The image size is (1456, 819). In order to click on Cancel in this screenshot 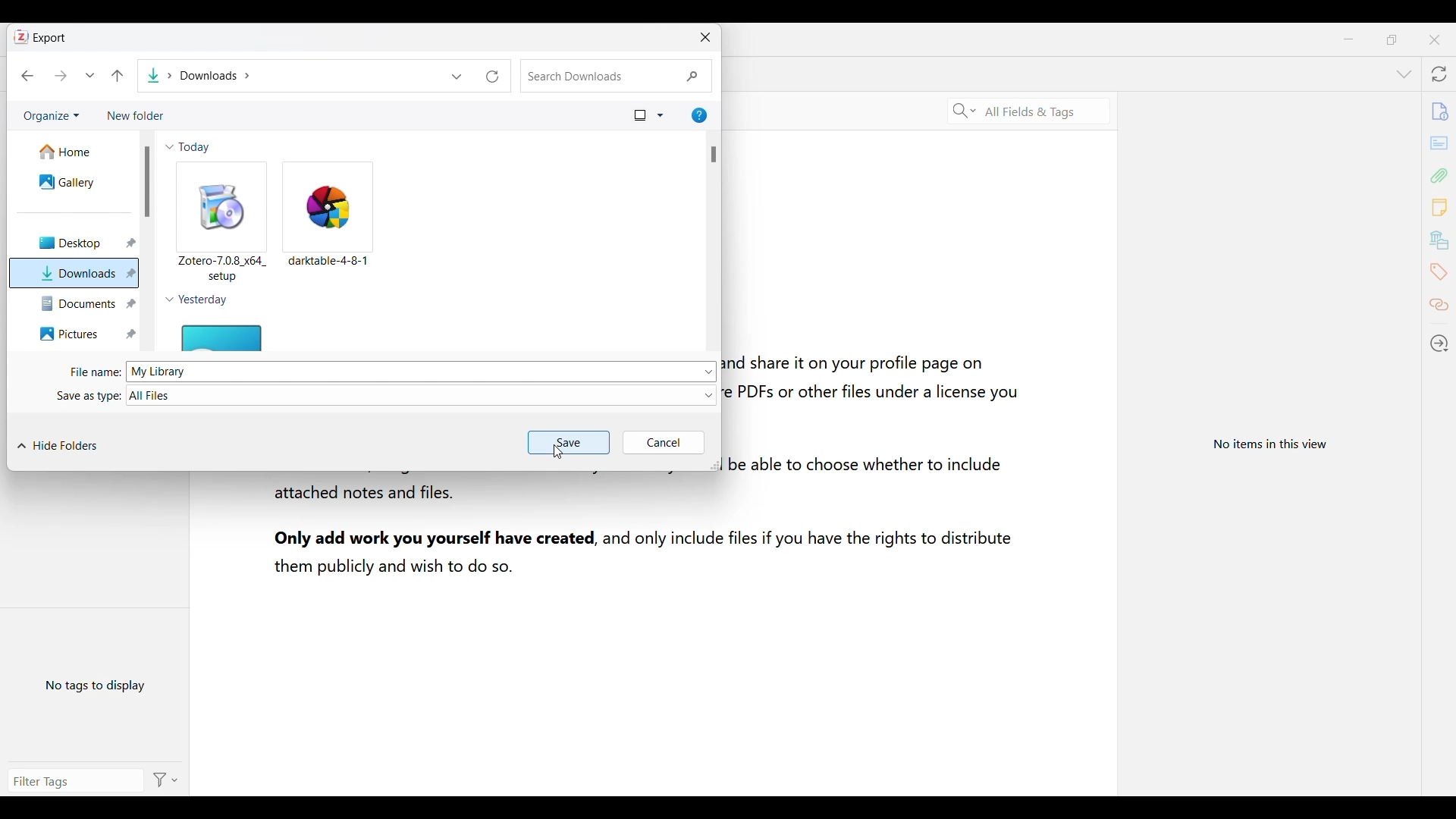, I will do `click(663, 442)`.